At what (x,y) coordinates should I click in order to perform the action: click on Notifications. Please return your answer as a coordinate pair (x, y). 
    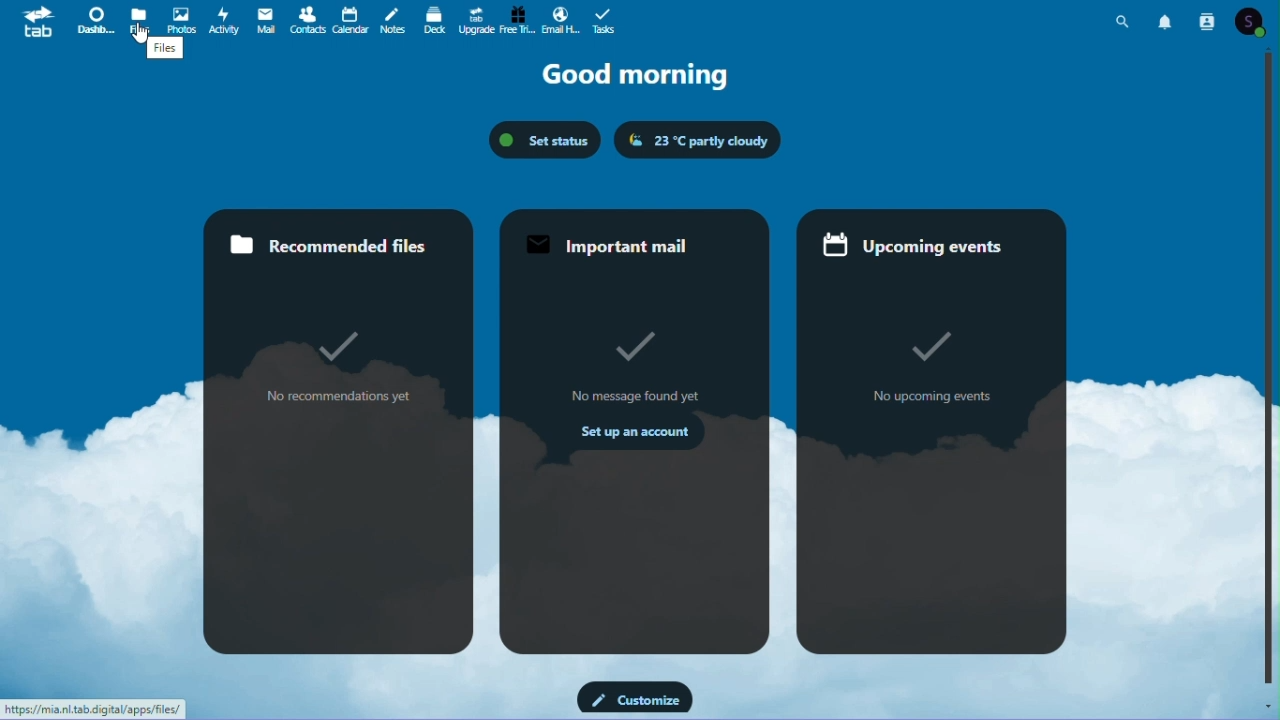
    Looking at the image, I should click on (1168, 19).